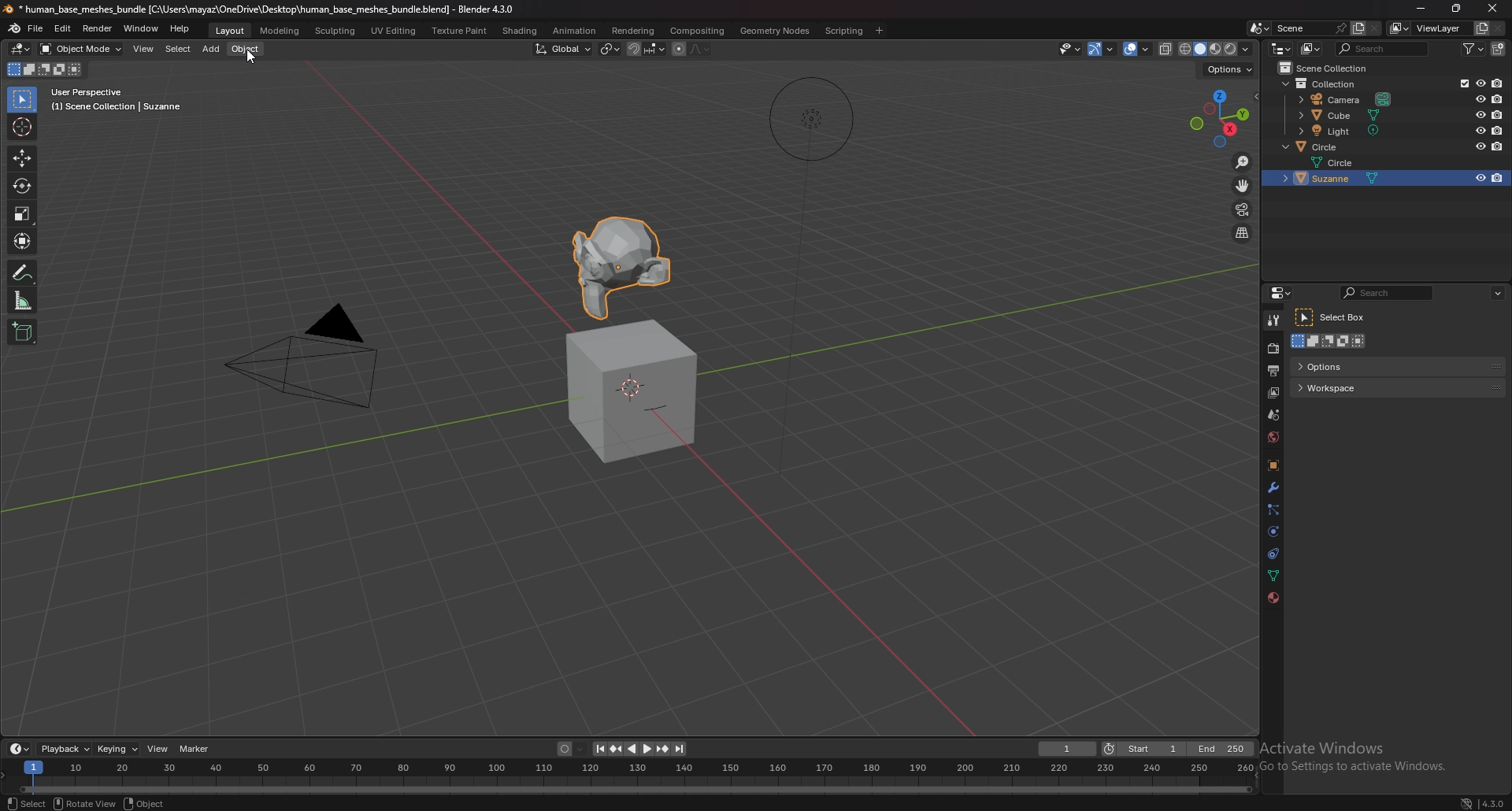  Describe the element at coordinates (1329, 68) in the screenshot. I see `collection` at that location.